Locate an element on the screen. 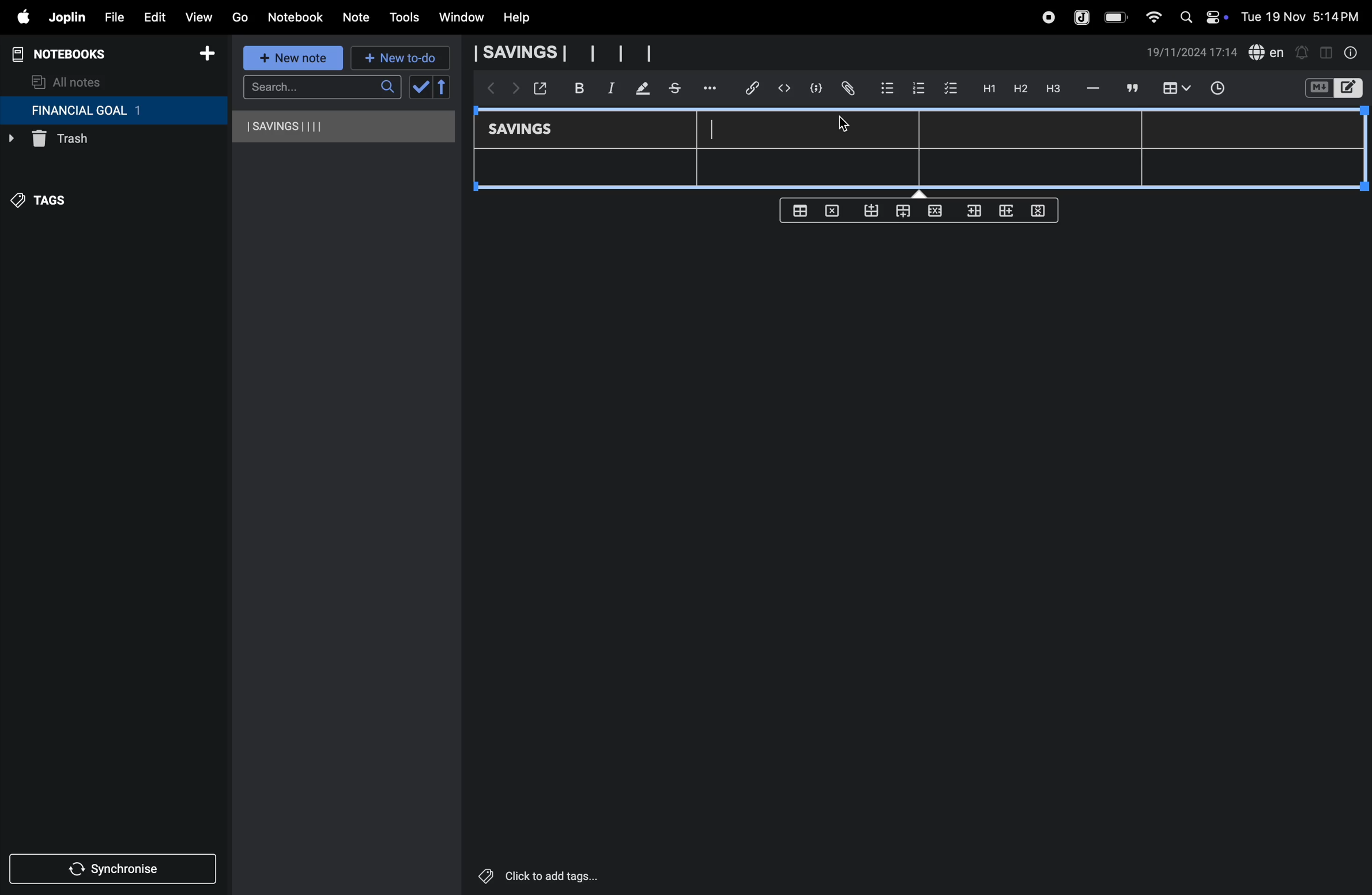 The height and width of the screenshot is (895, 1372). comment is located at coordinates (1130, 88).